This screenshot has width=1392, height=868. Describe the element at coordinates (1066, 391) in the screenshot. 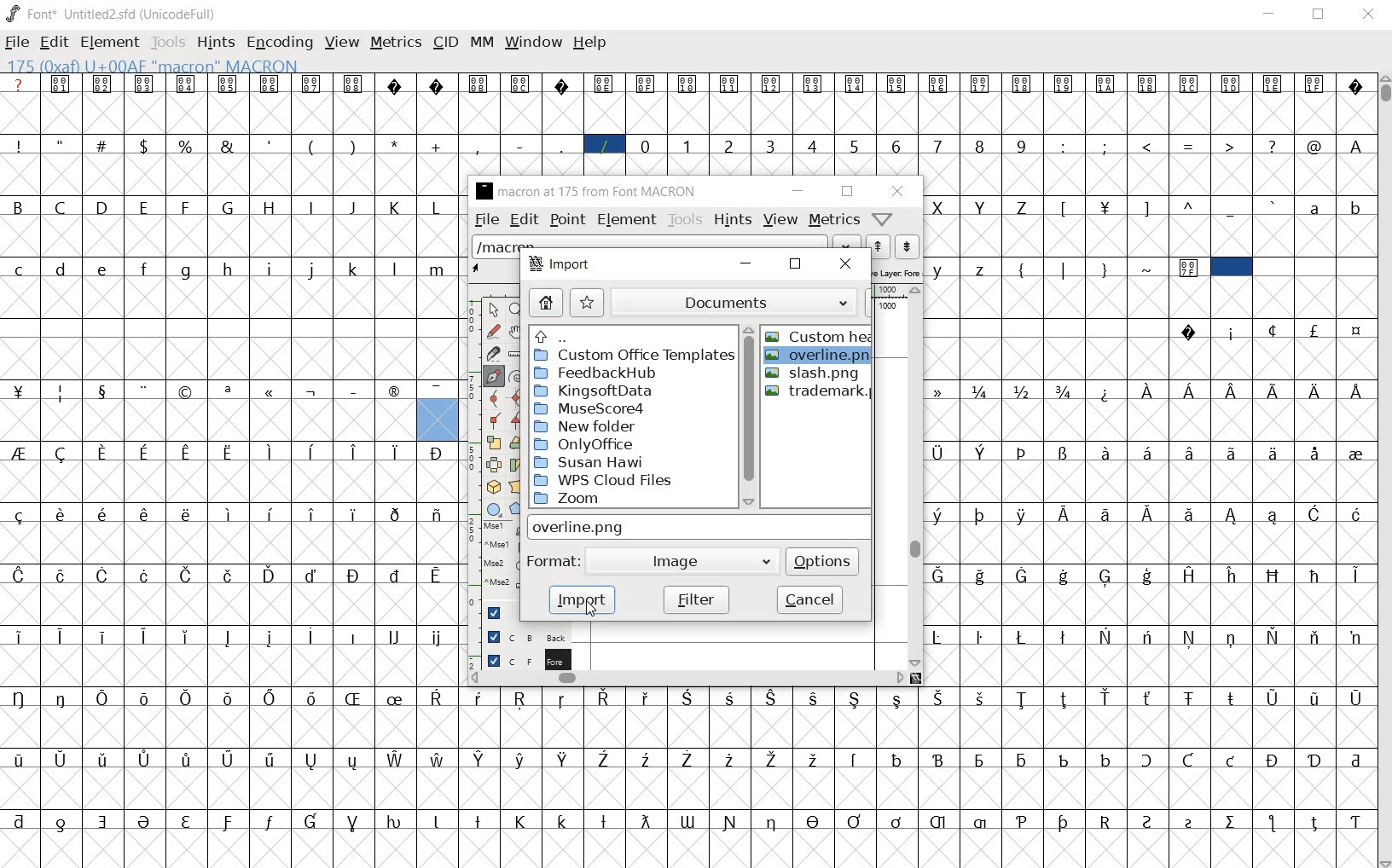

I see `Symbol` at that location.